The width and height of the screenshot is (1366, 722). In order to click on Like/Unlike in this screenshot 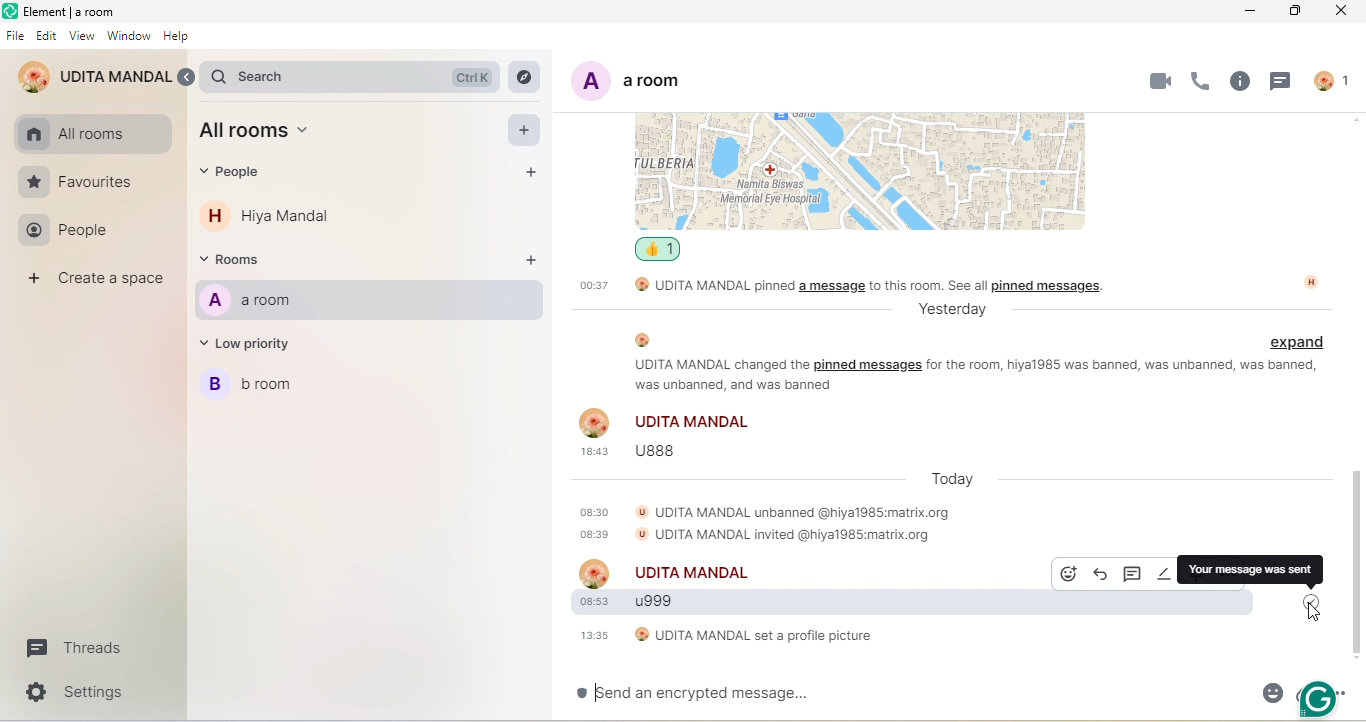, I will do `click(657, 249)`.